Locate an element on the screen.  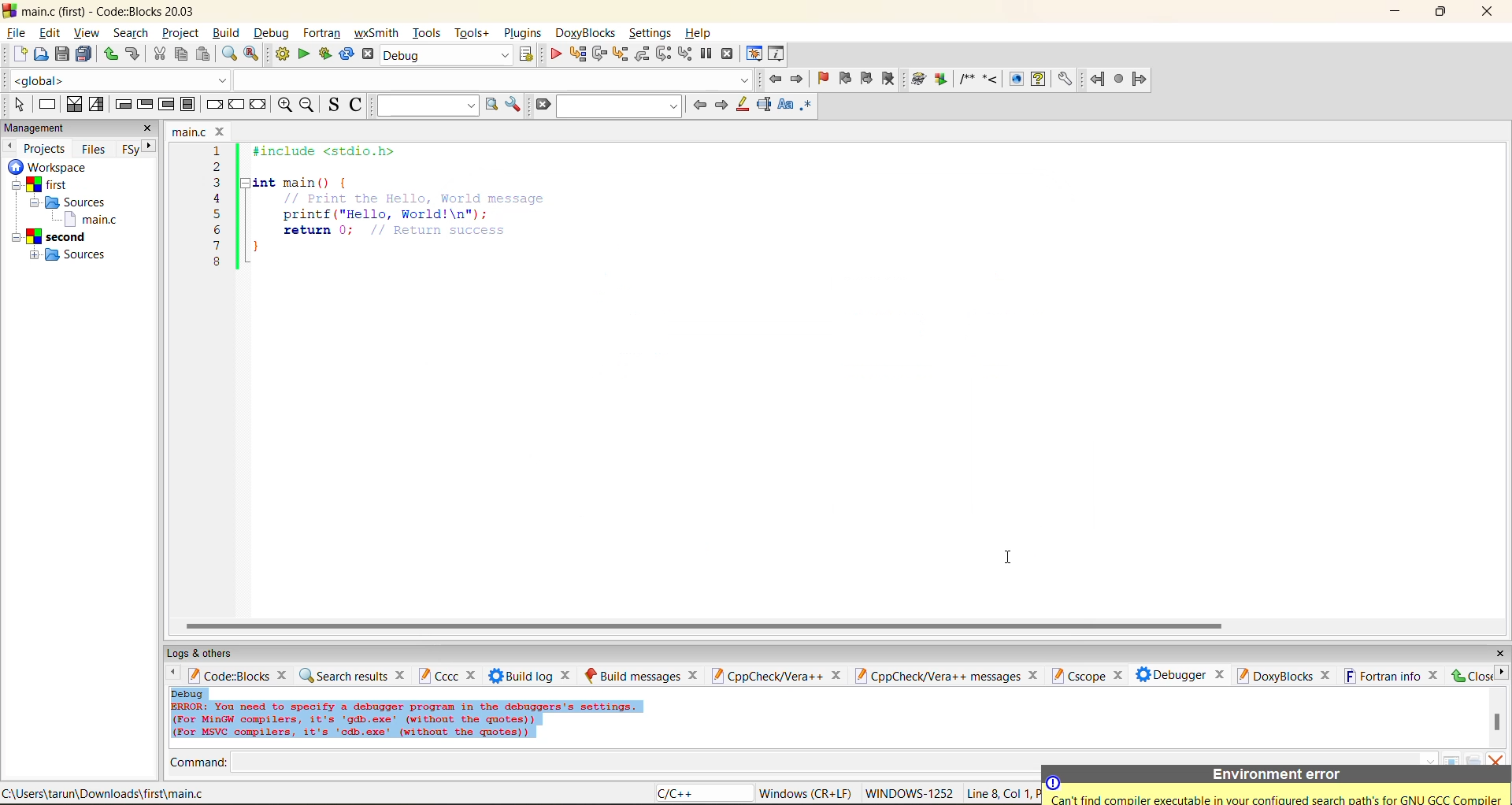
code completion compiler is located at coordinates (378, 80).